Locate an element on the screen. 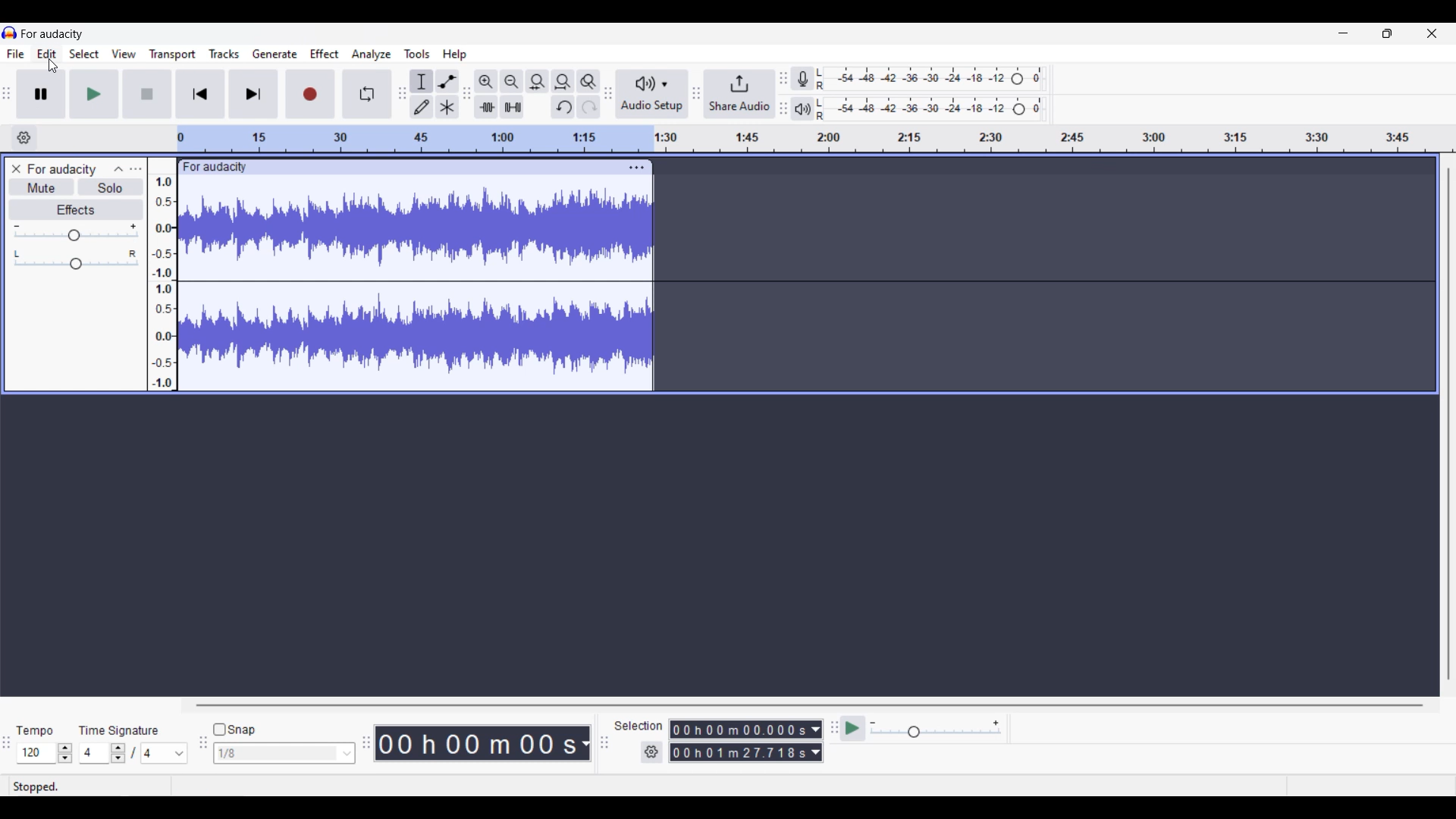 The height and width of the screenshot is (819, 1456). Close track is located at coordinates (16, 169).